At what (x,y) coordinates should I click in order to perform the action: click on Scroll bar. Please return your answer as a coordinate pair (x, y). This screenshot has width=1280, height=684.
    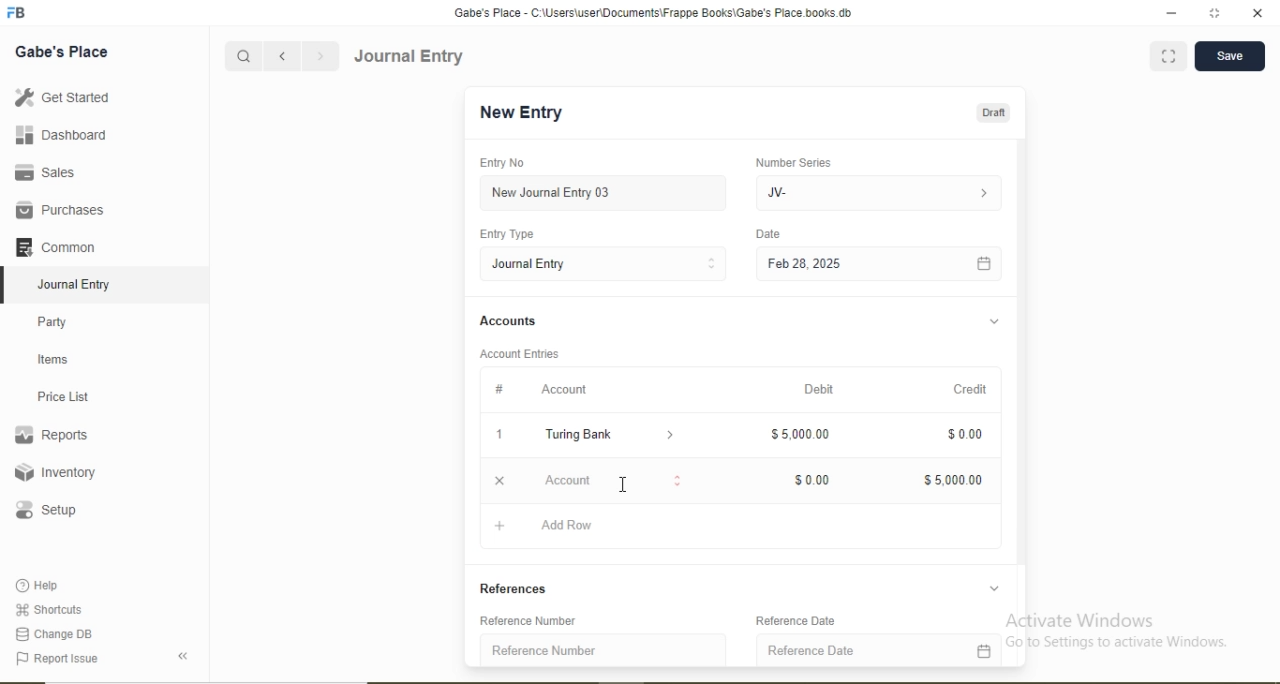
    Looking at the image, I should click on (1021, 386).